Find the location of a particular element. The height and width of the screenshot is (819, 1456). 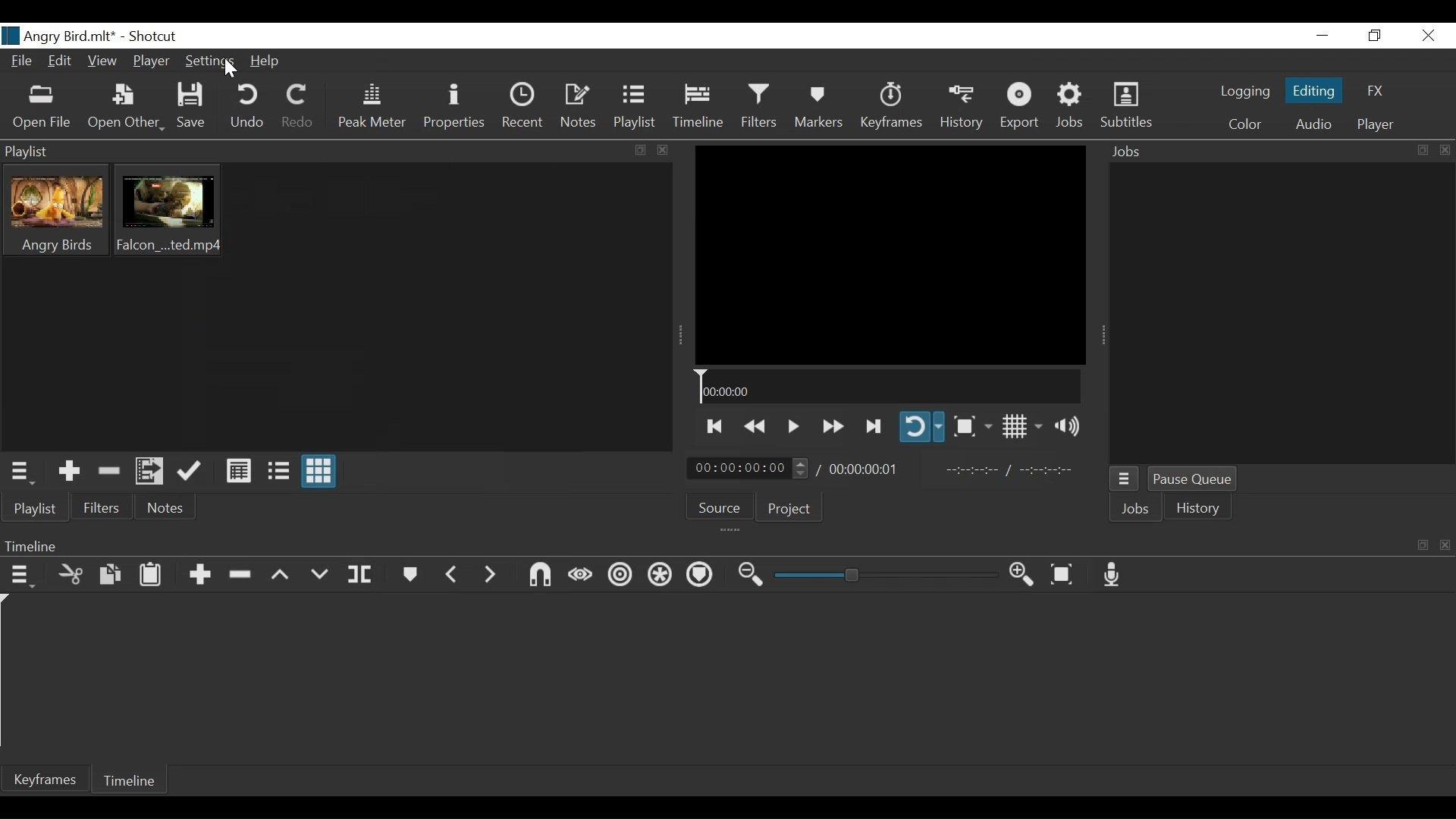

Paste is located at coordinates (151, 576).